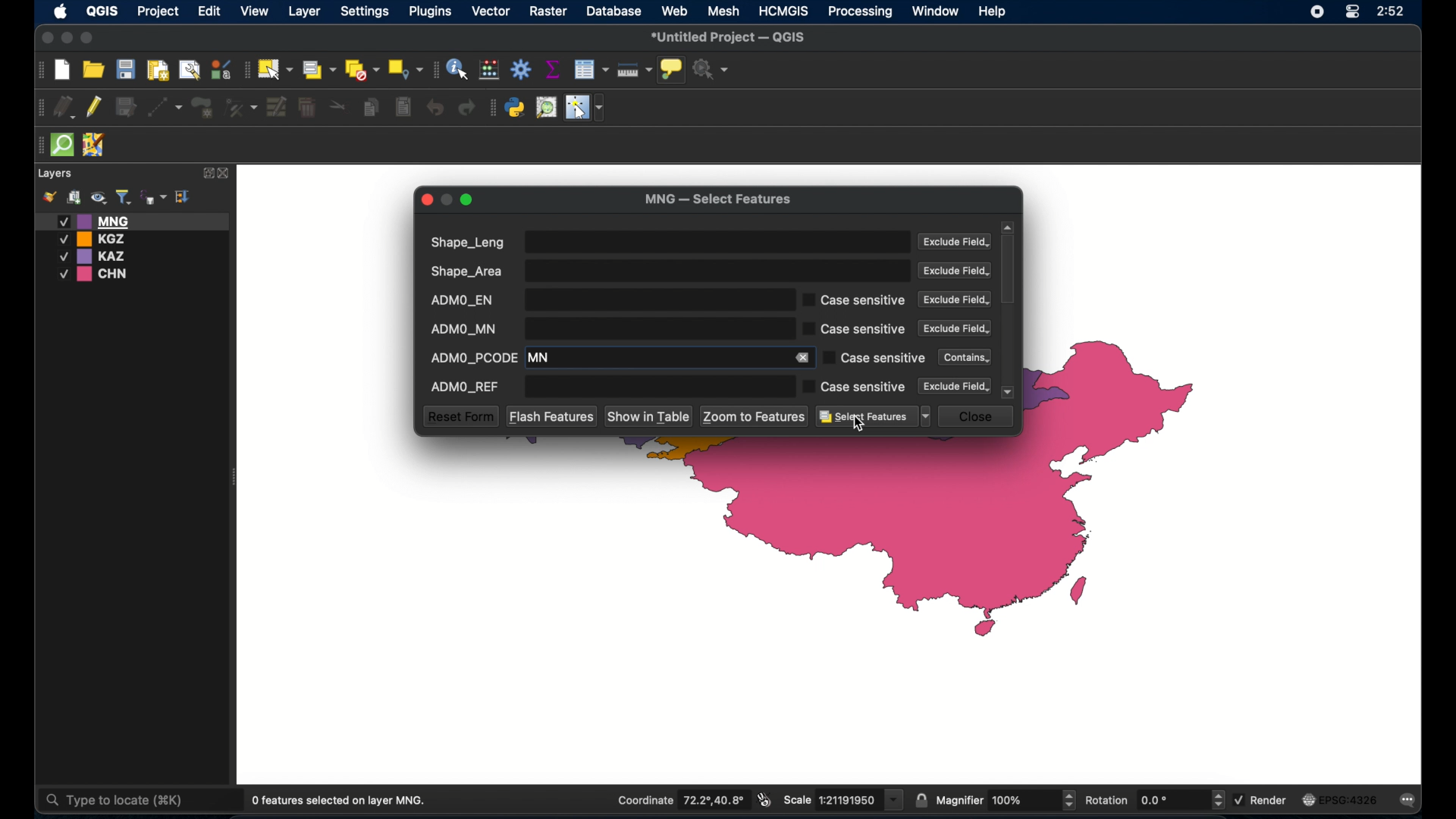 The image size is (1456, 819). Describe the element at coordinates (650, 417) in the screenshot. I see `show in table` at that location.